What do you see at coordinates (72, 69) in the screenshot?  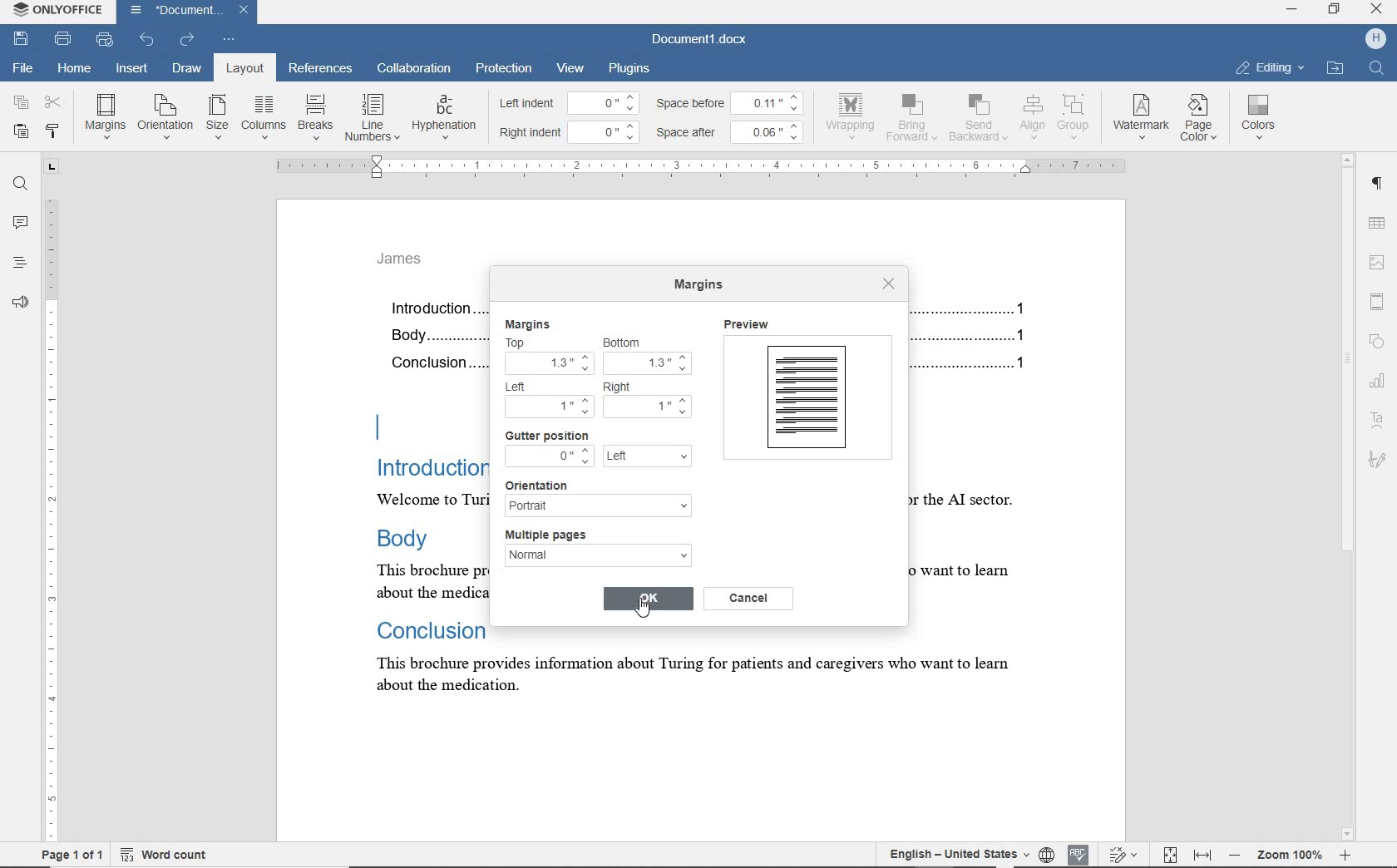 I see `home` at bounding box center [72, 69].